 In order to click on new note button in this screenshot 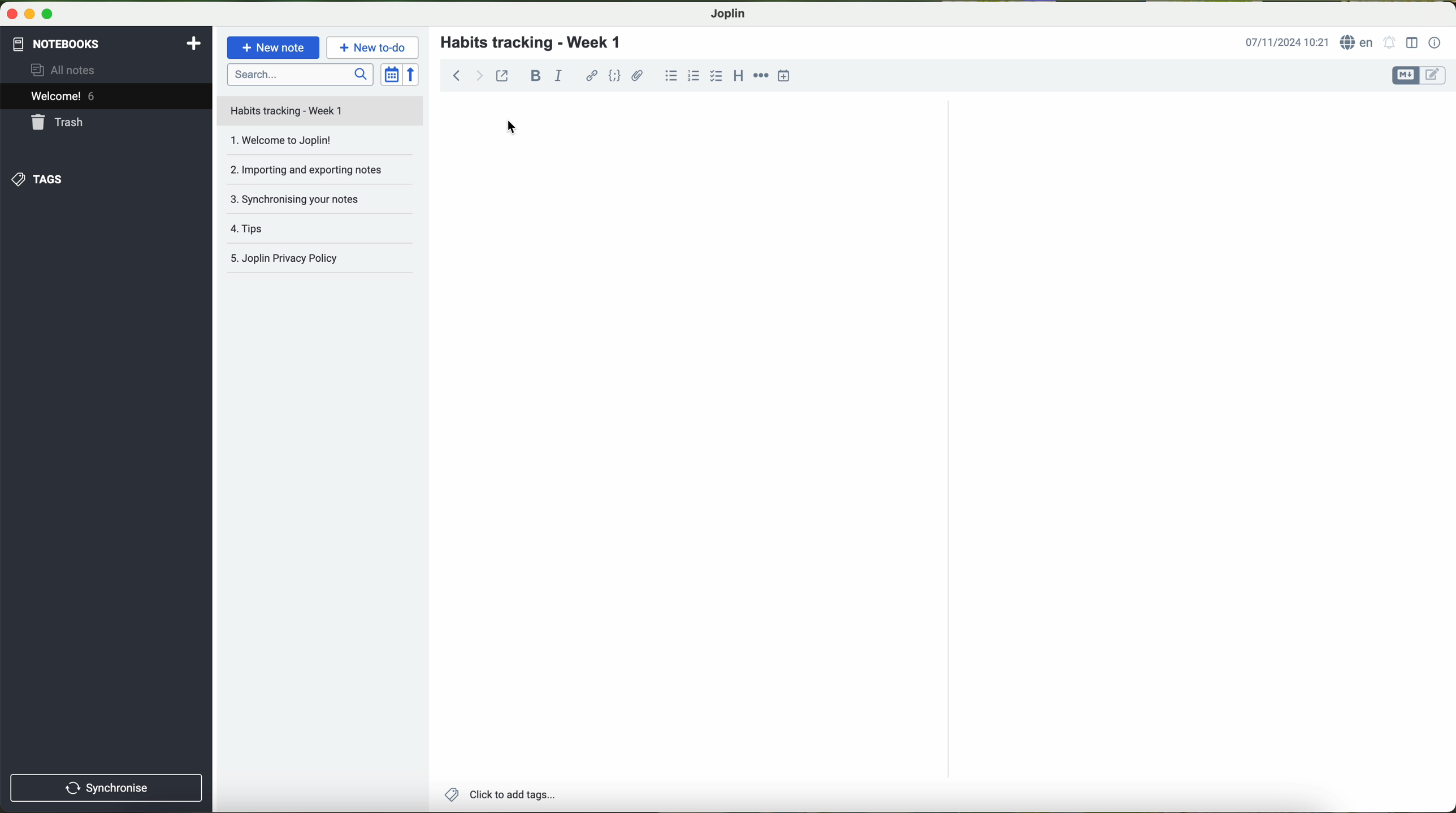, I will do `click(274, 47)`.